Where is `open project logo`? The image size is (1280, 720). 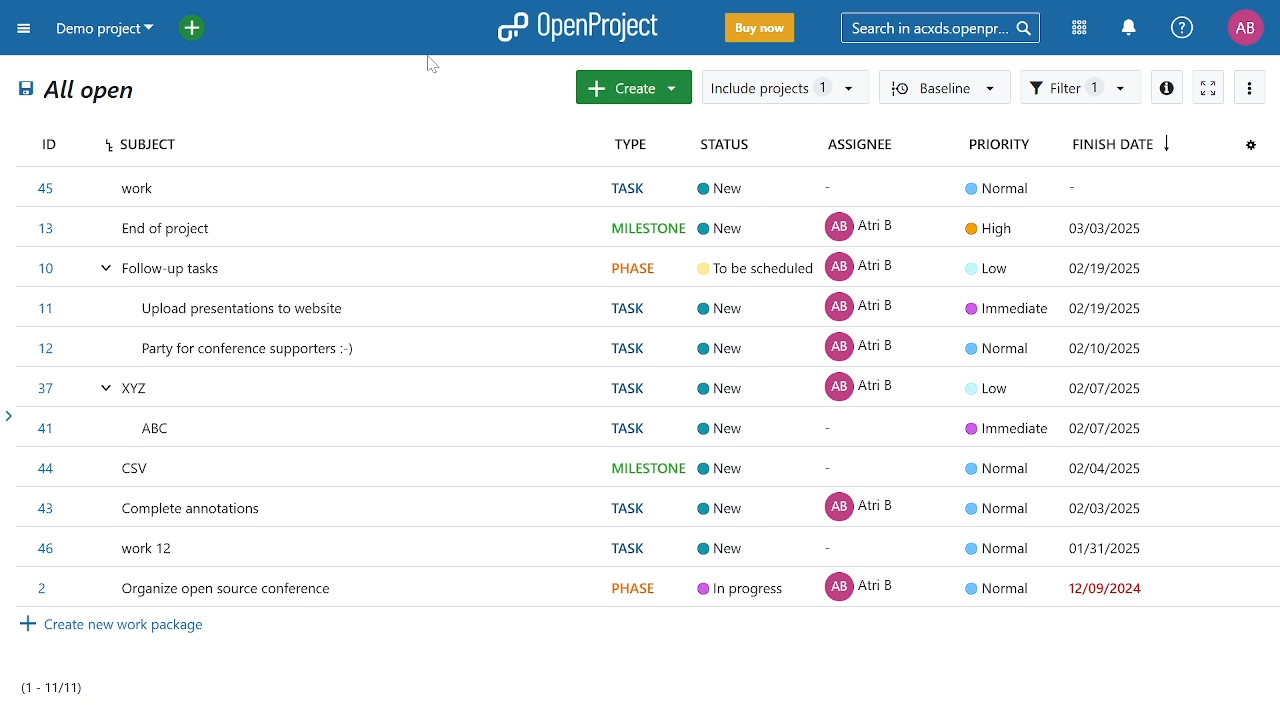 open project logo is located at coordinates (578, 26).